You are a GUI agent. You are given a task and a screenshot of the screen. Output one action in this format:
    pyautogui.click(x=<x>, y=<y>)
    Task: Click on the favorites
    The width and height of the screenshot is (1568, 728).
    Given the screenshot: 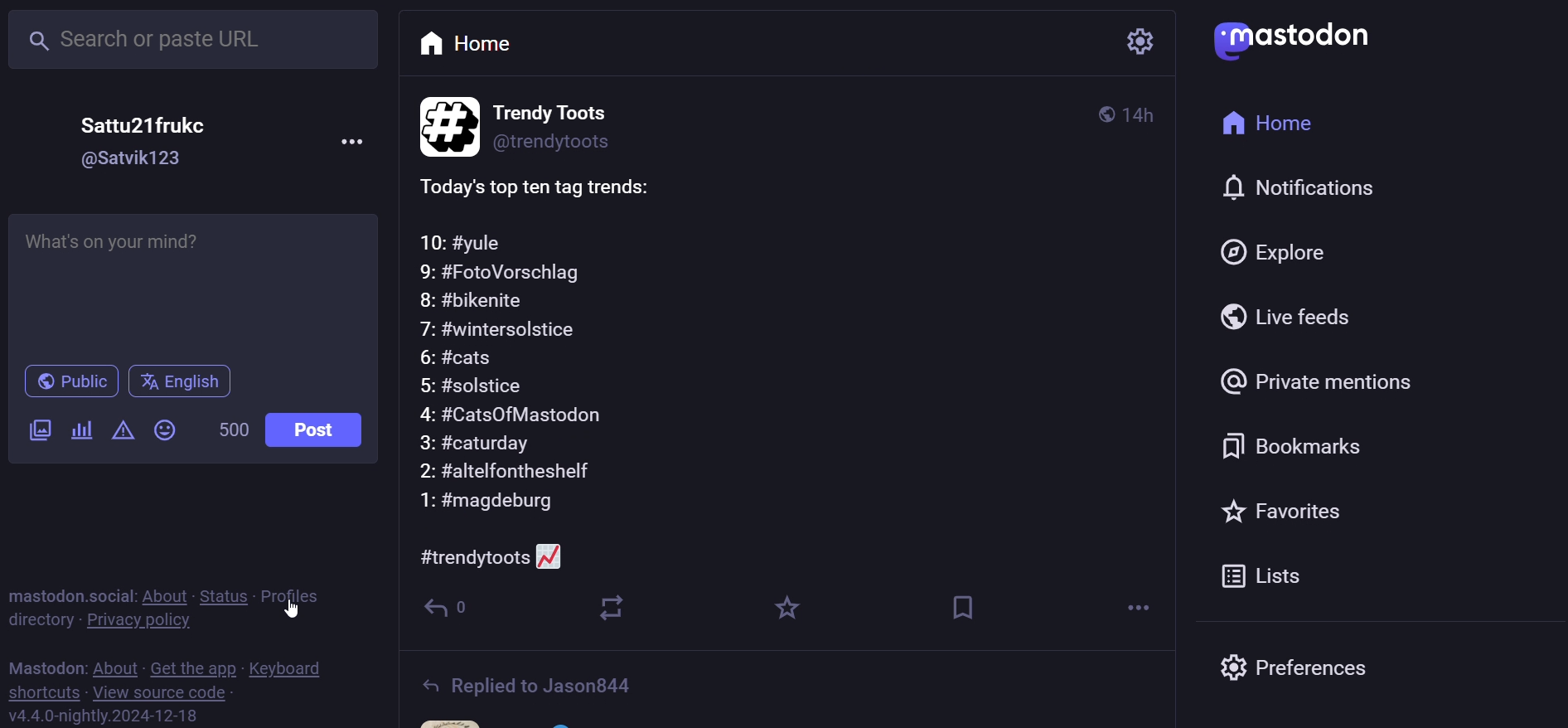 What is the action you would take?
    pyautogui.click(x=1299, y=507)
    